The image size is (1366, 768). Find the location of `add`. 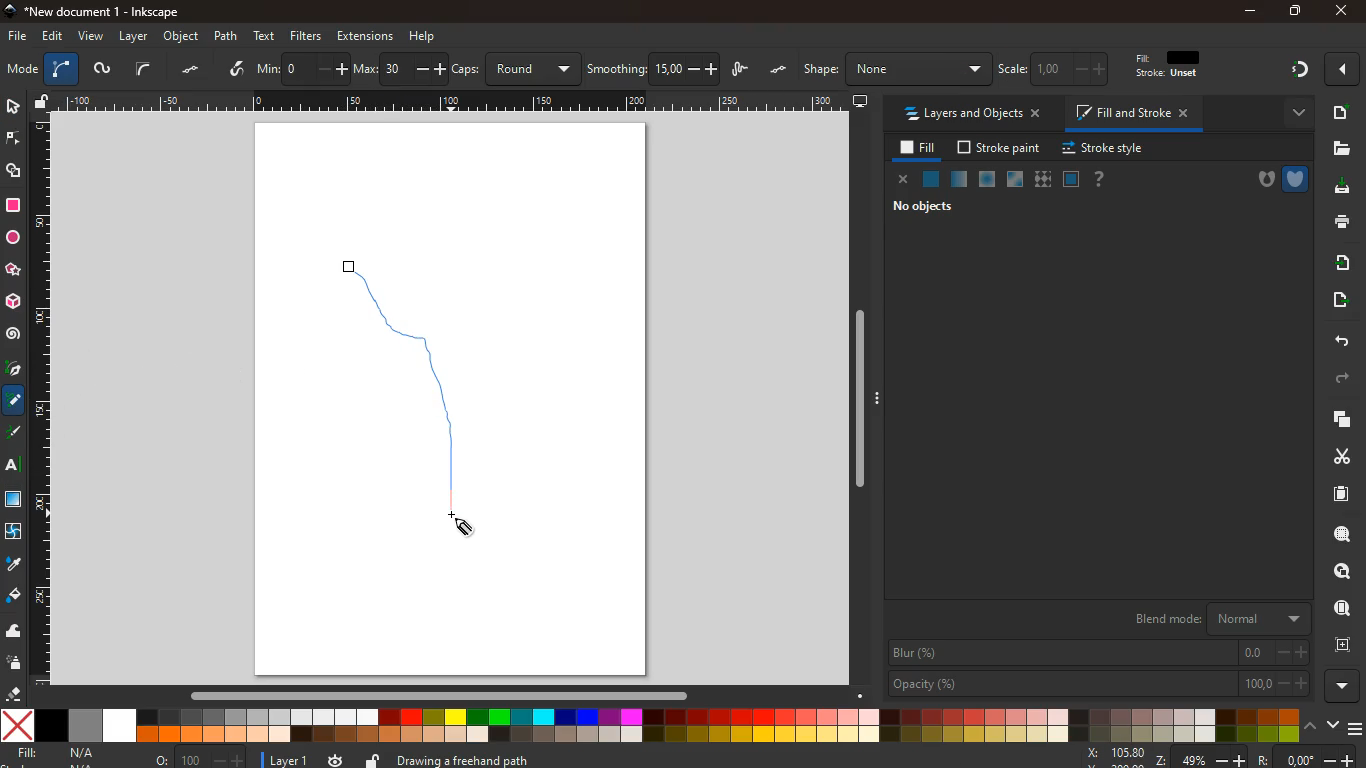

add is located at coordinates (1340, 112).